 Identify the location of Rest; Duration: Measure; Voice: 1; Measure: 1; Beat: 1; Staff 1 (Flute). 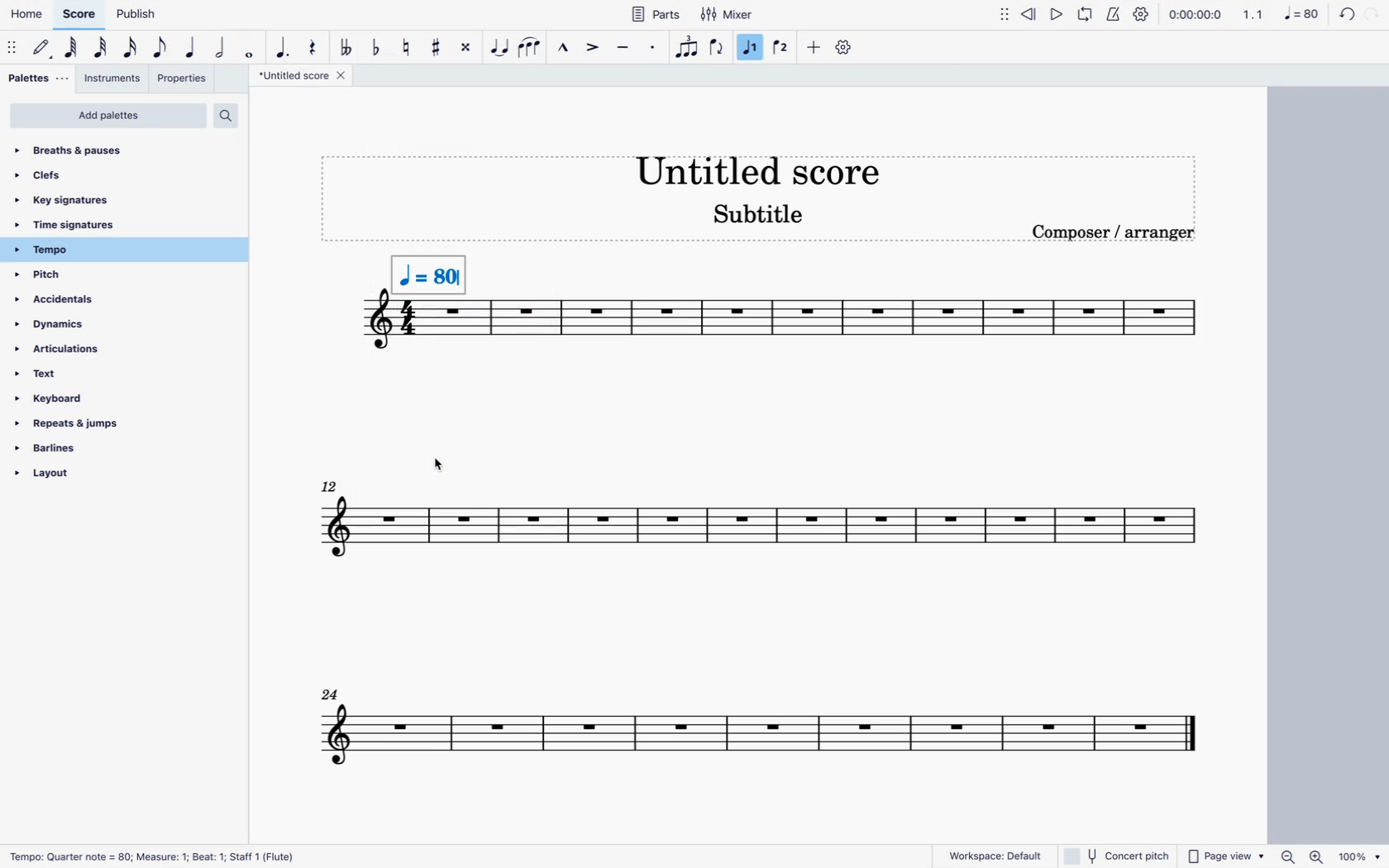
(173, 853).